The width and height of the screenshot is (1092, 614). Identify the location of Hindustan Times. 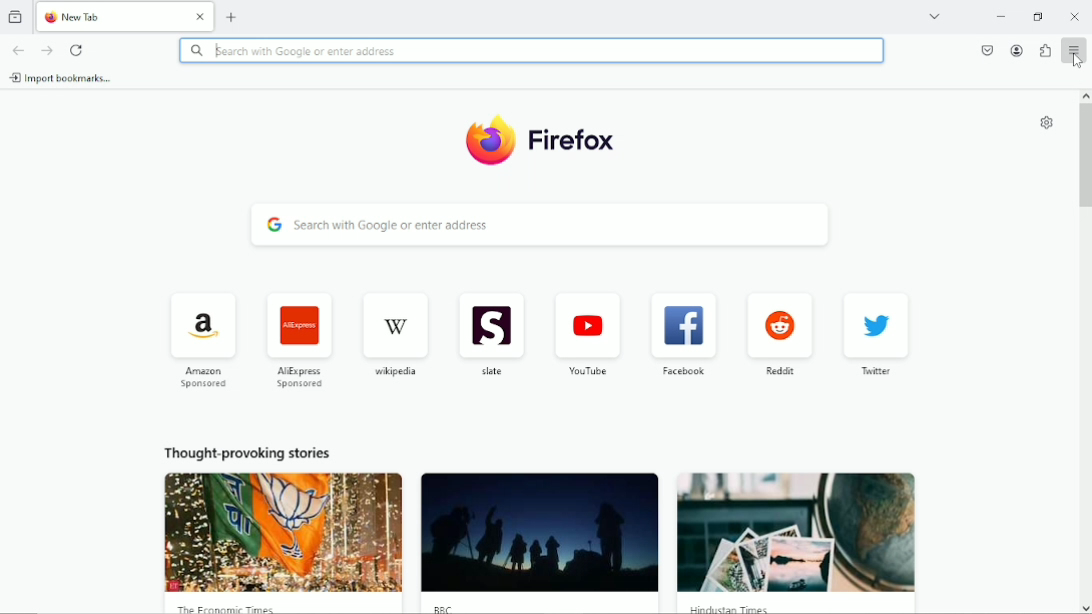
(727, 608).